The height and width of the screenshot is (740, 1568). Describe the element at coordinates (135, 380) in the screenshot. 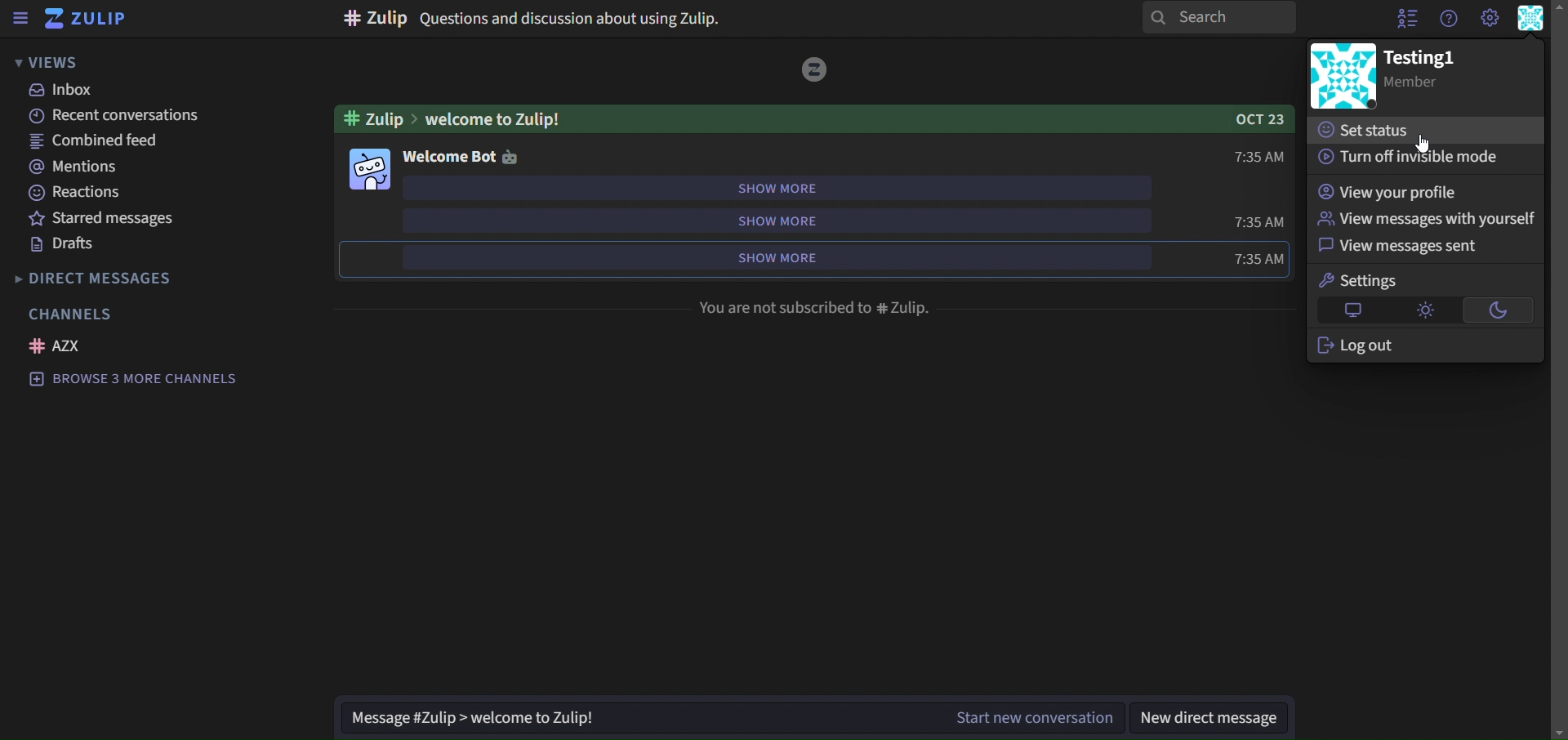

I see `browse 3 more channels` at that location.